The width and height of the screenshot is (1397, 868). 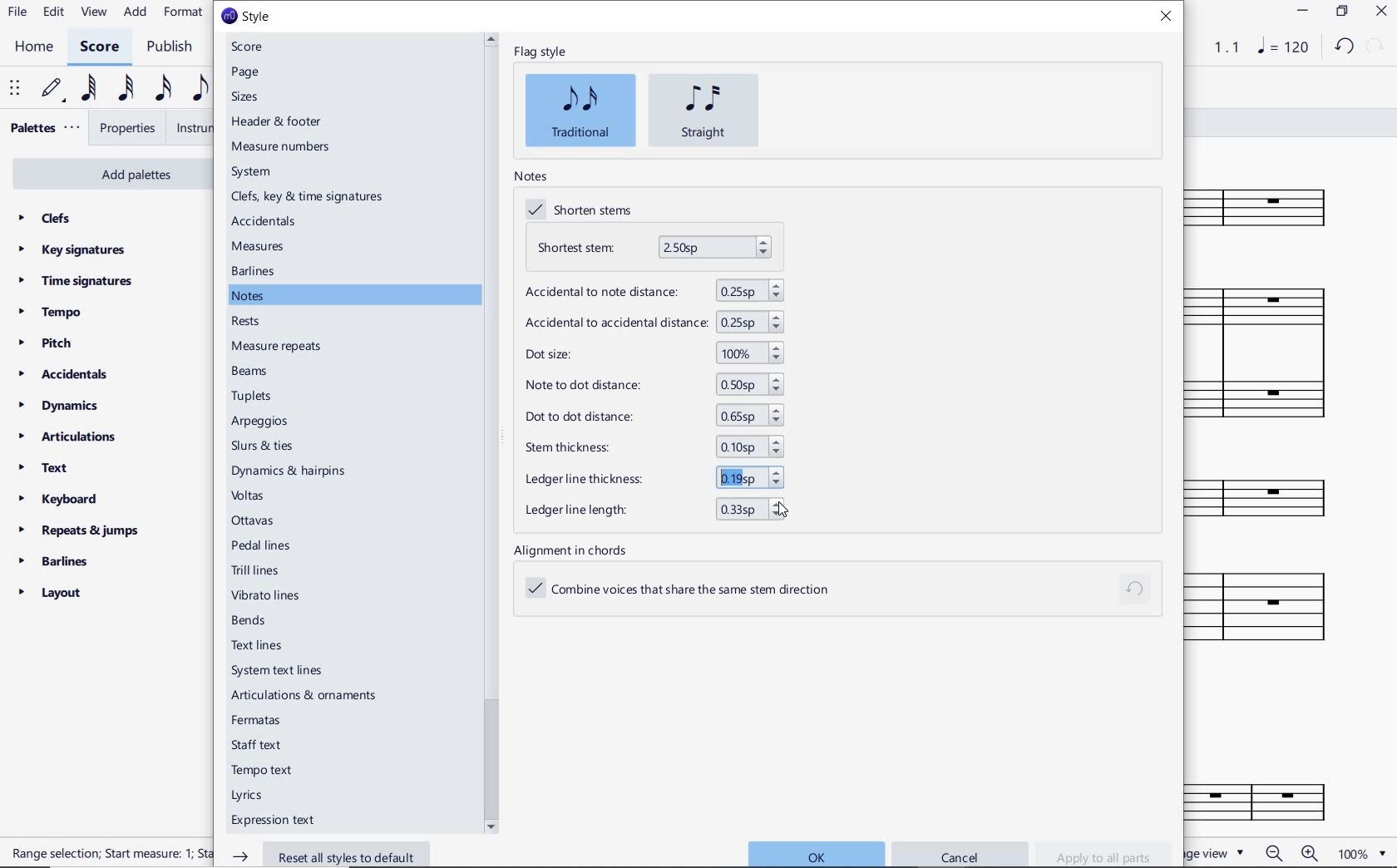 What do you see at coordinates (136, 13) in the screenshot?
I see `add` at bounding box center [136, 13].